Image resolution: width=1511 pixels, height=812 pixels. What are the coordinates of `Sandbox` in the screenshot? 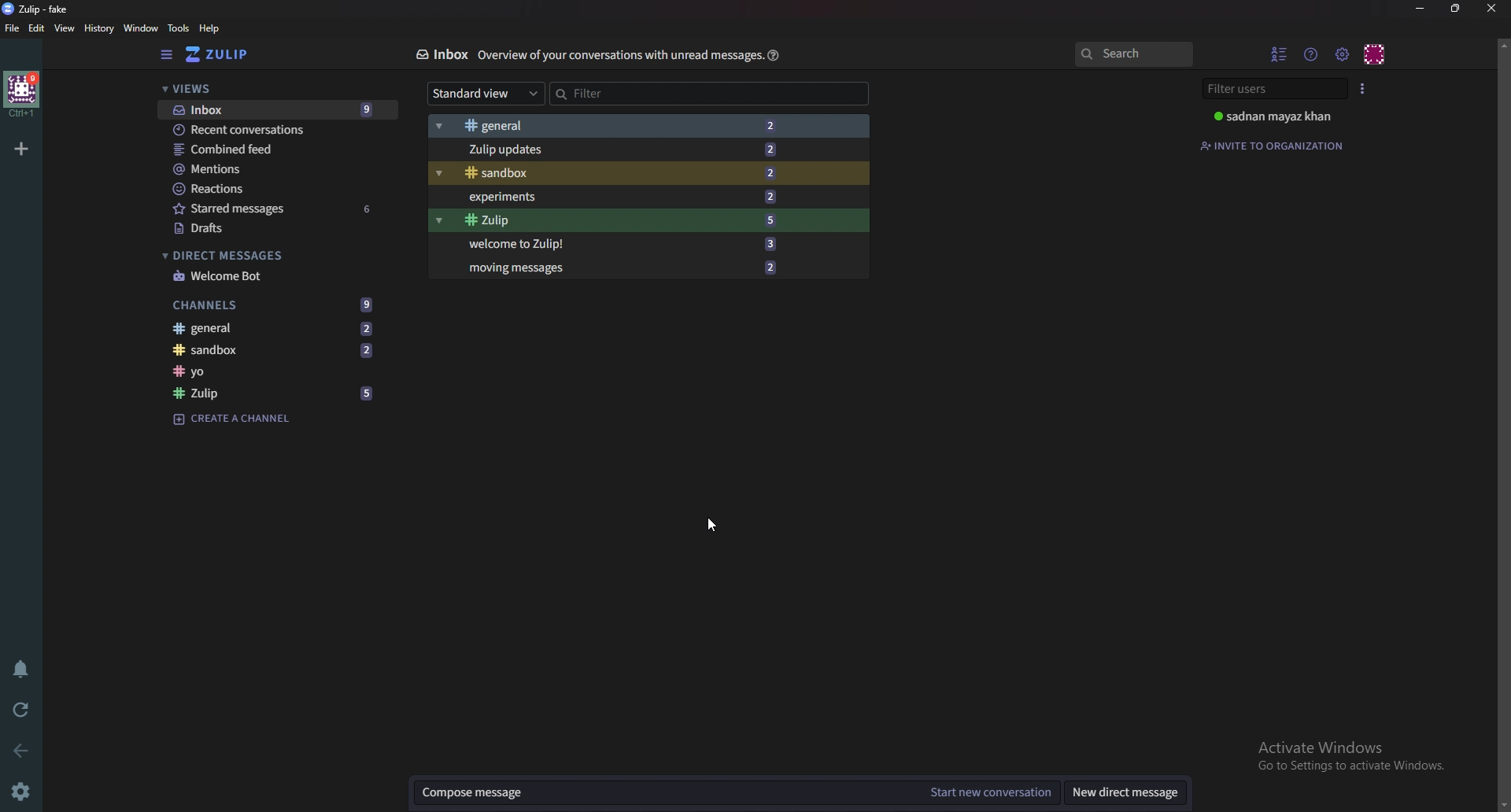 It's located at (613, 175).